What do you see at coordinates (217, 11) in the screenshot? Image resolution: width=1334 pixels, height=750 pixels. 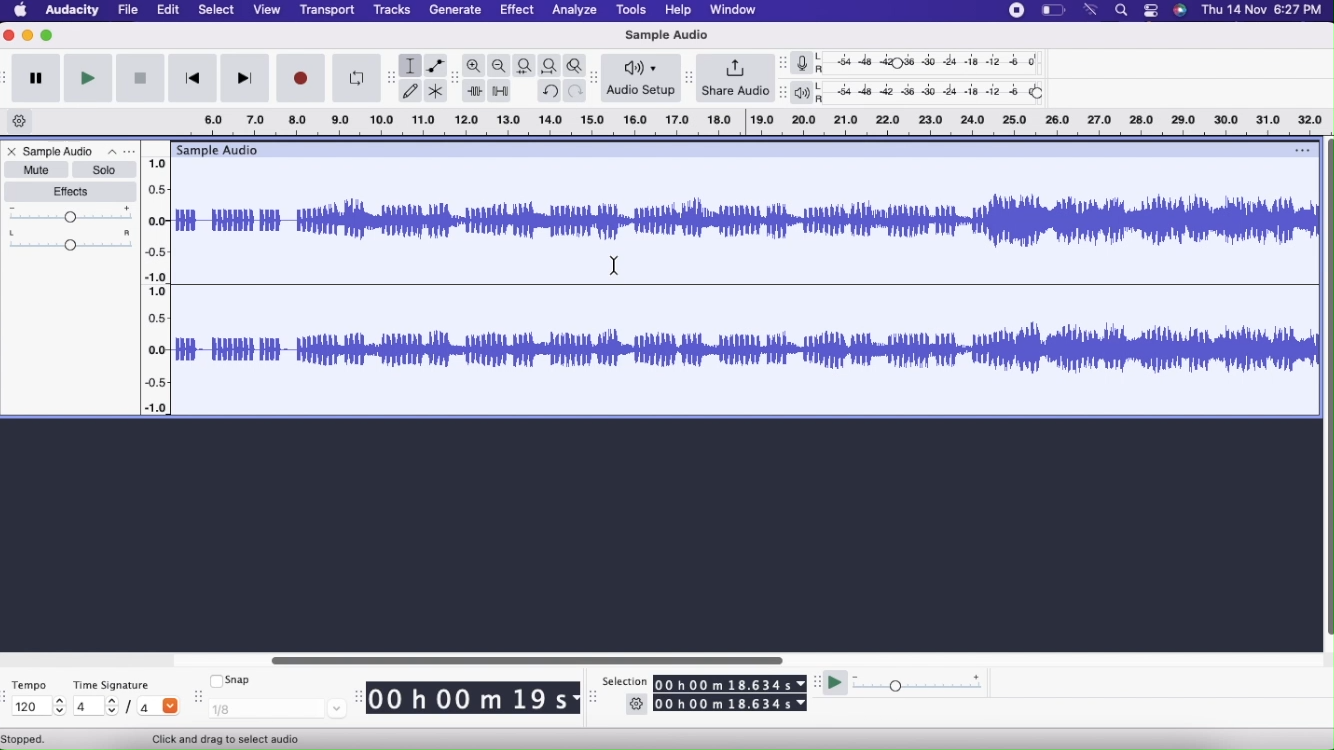 I see `Select` at bounding box center [217, 11].